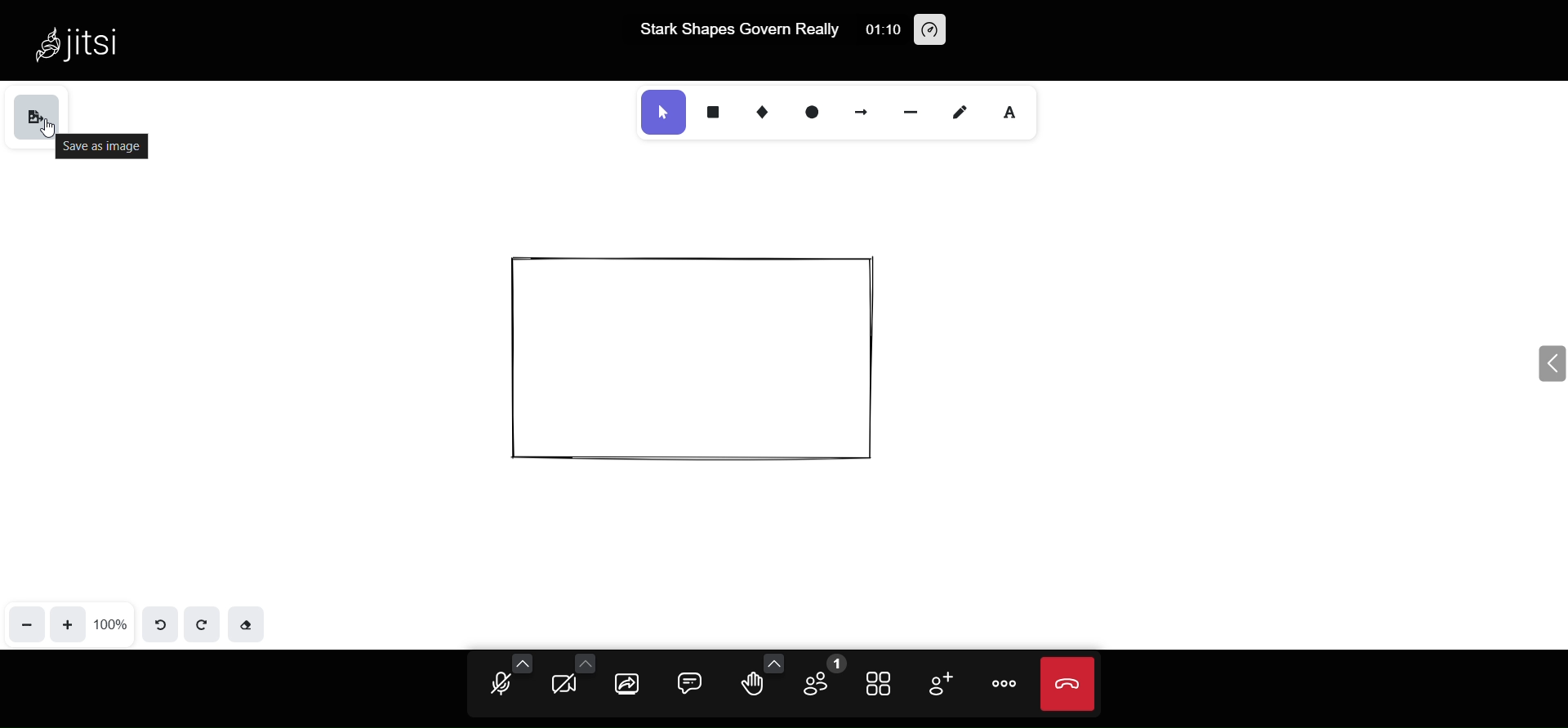 The height and width of the screenshot is (728, 1568). What do you see at coordinates (960, 111) in the screenshot?
I see `draw` at bounding box center [960, 111].